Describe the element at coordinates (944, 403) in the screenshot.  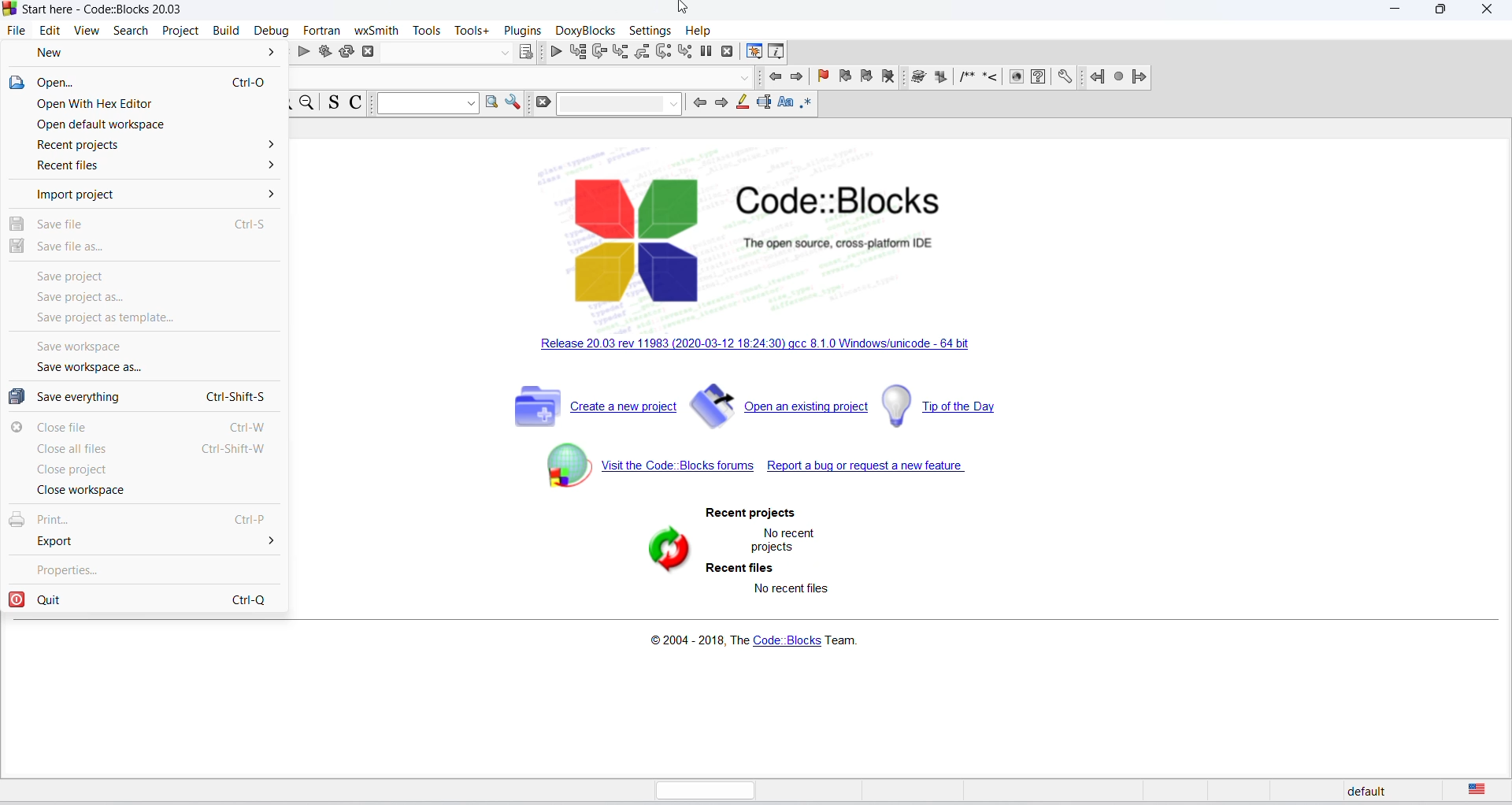
I see `tip of the day` at that location.